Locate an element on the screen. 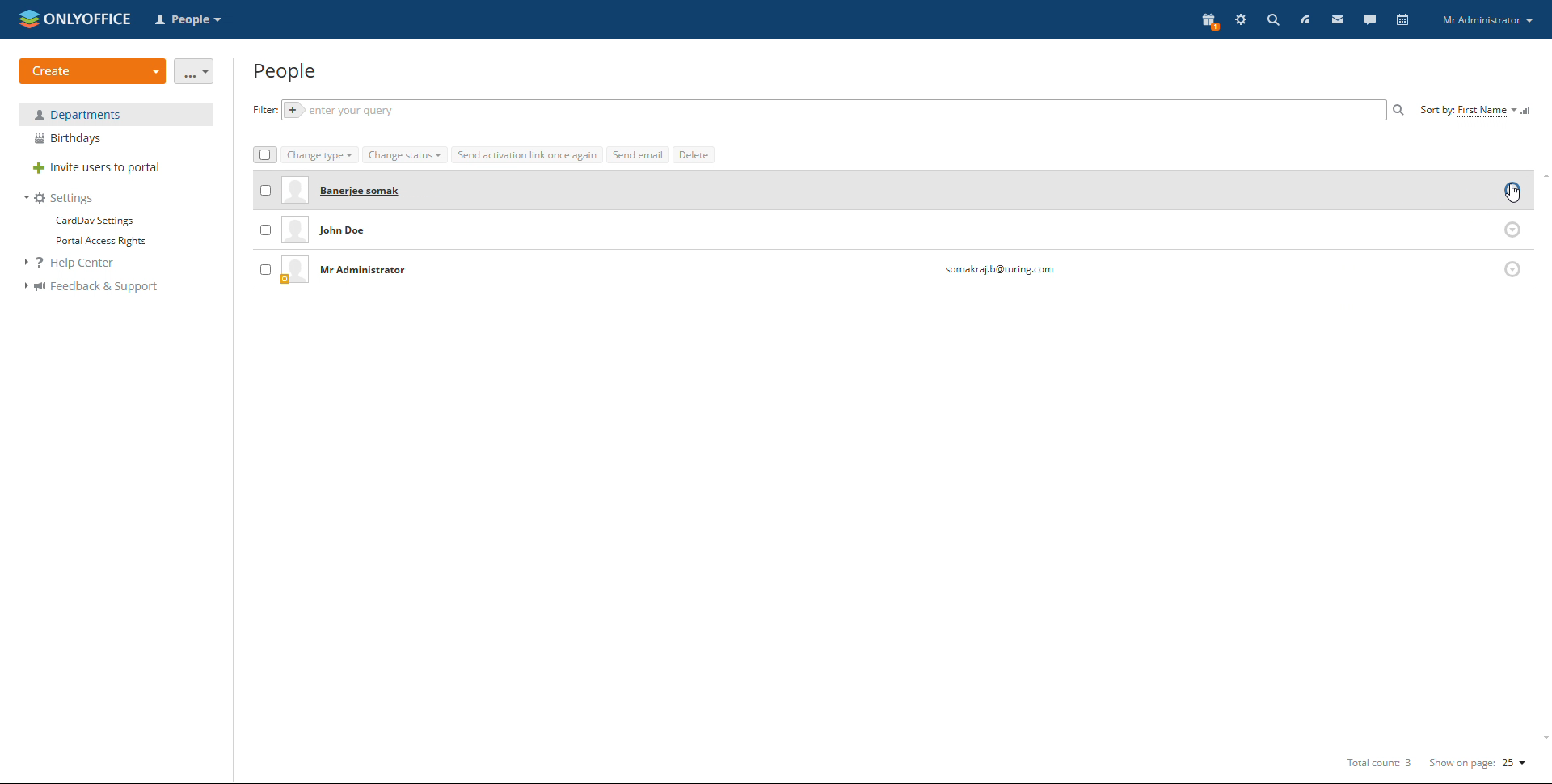 The width and height of the screenshot is (1552, 784). Filer: is located at coordinates (261, 110).